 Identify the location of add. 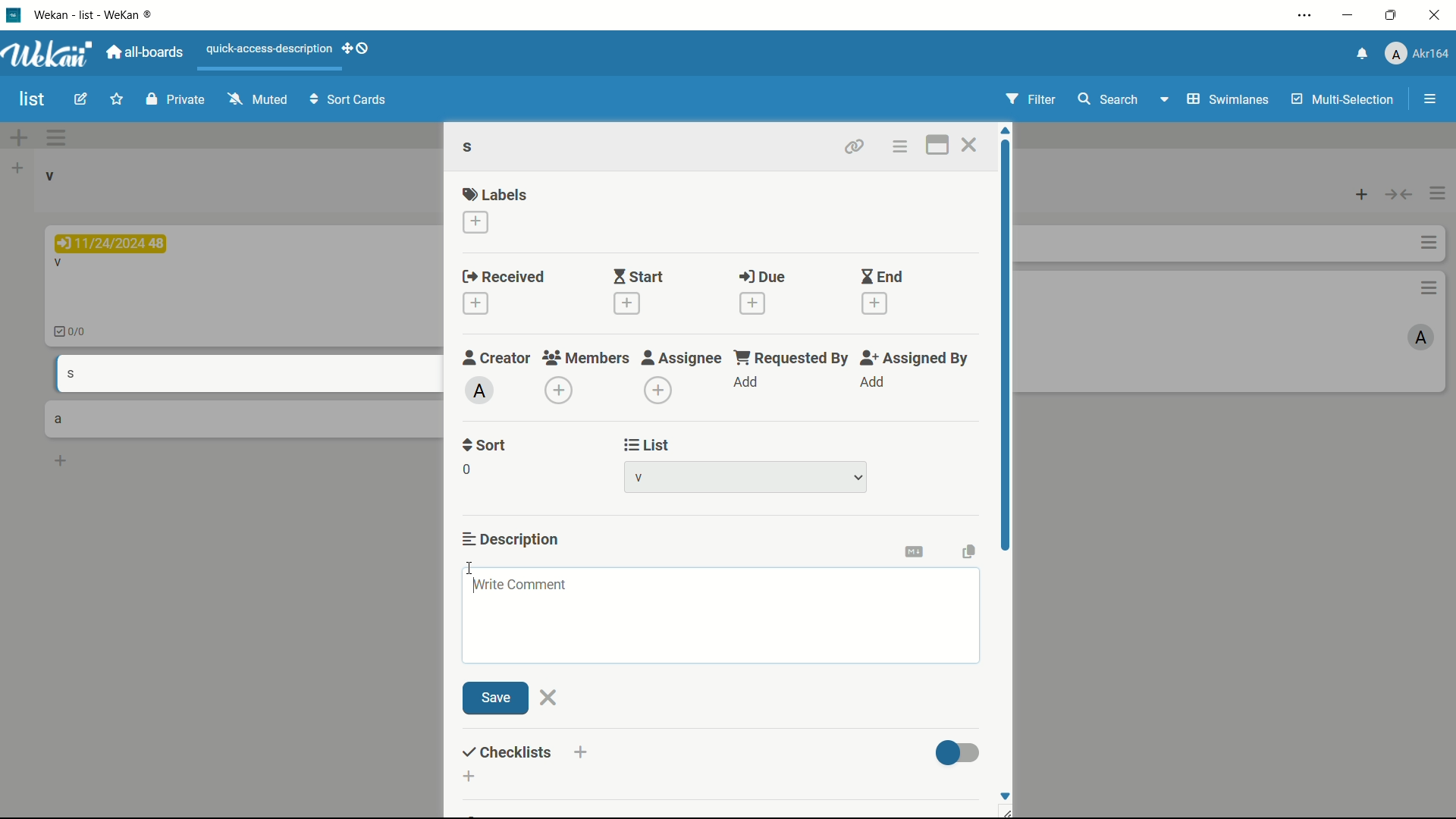
(874, 383).